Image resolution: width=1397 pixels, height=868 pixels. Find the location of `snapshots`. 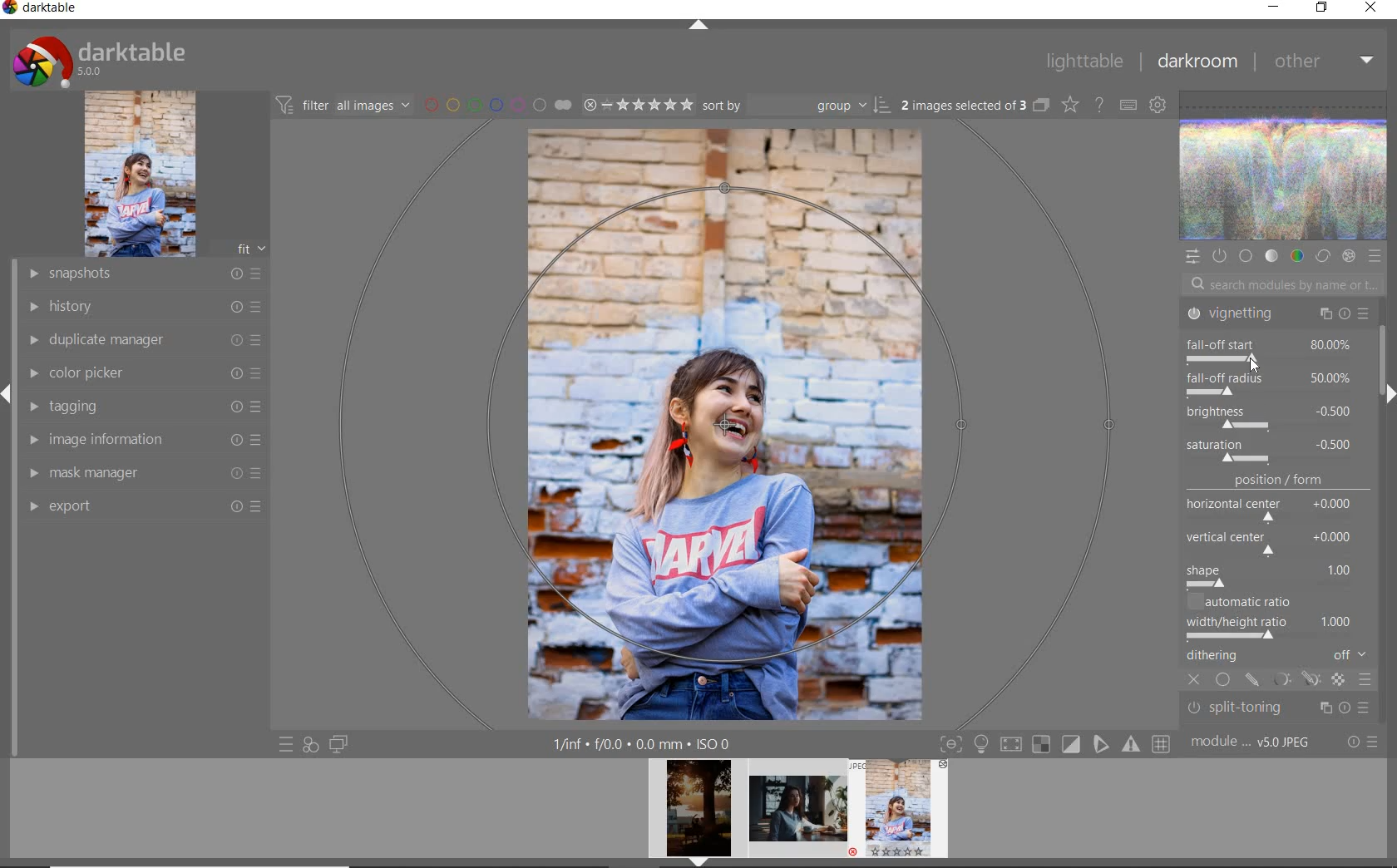

snapshots is located at coordinates (143, 274).